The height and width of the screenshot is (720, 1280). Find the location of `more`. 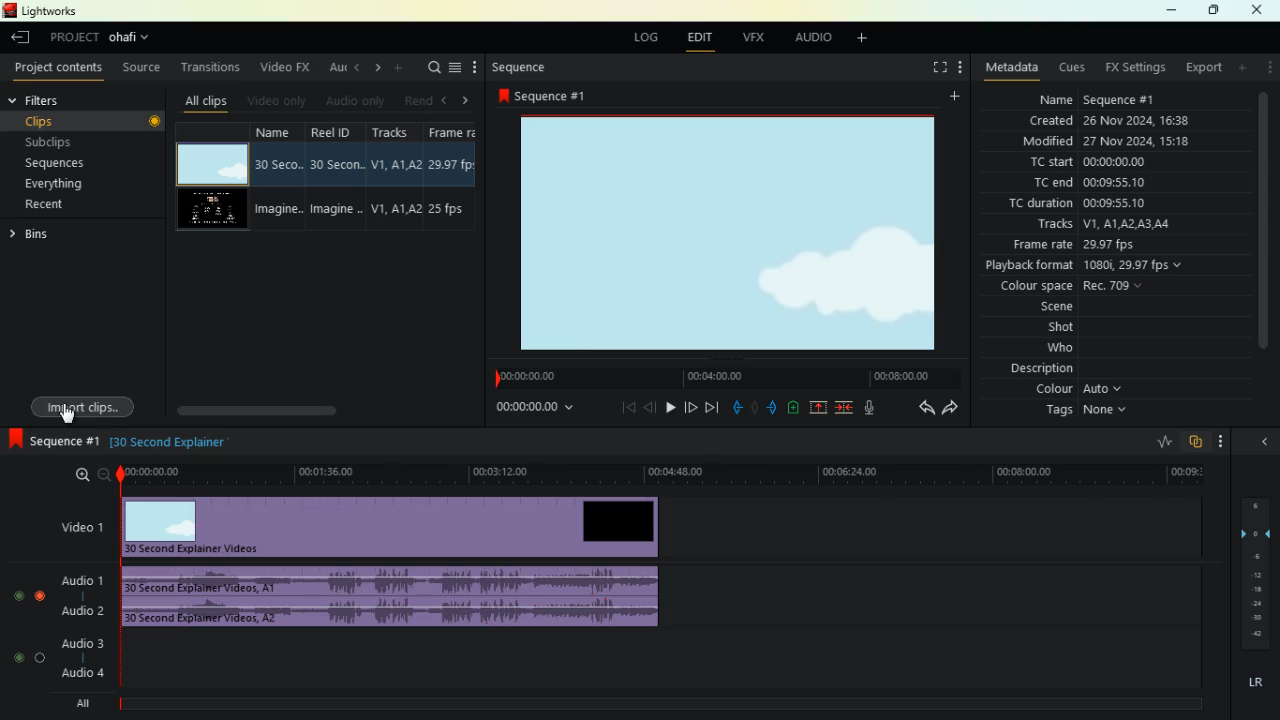

more is located at coordinates (477, 68).